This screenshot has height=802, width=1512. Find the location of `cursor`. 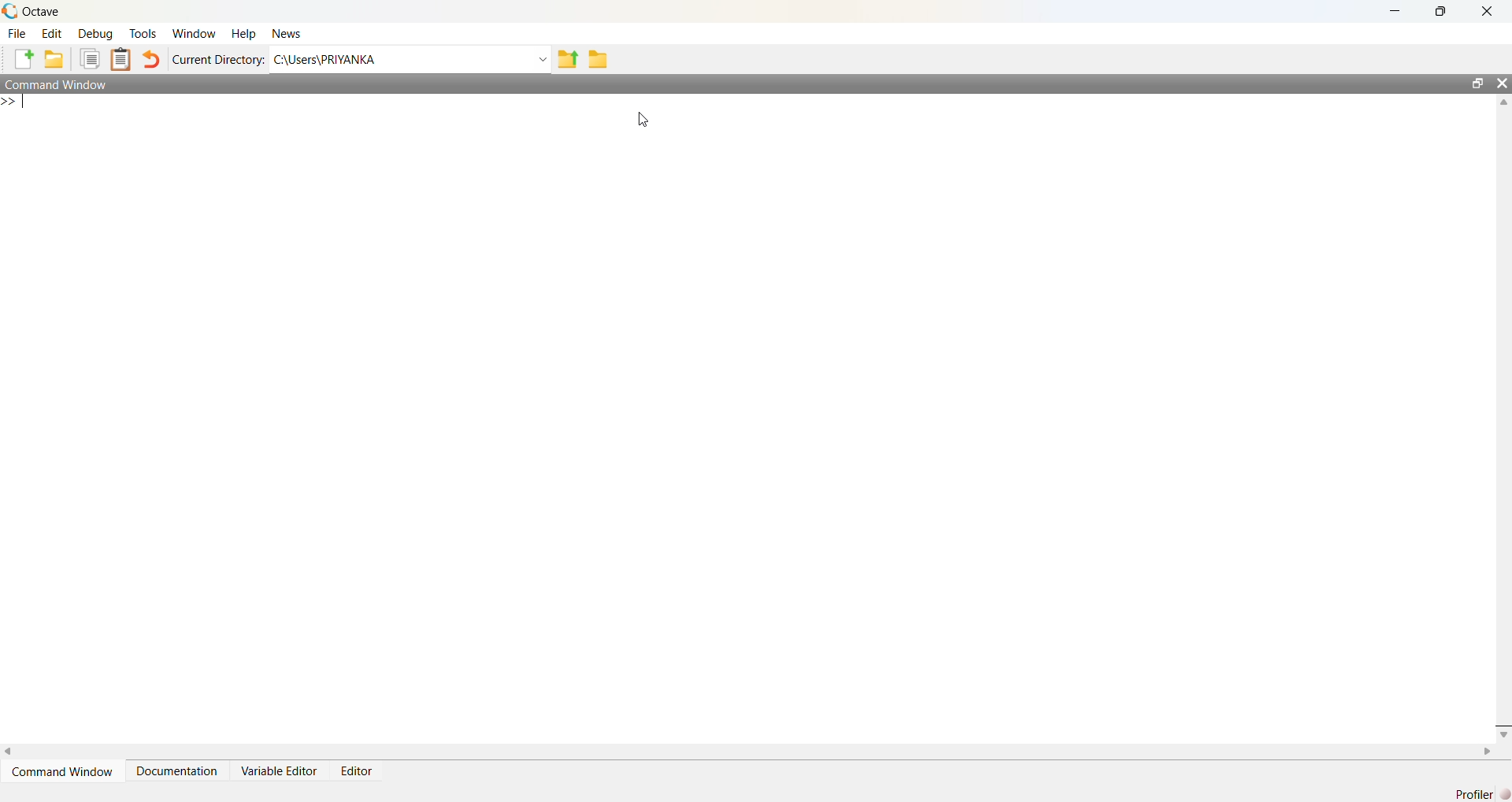

cursor is located at coordinates (642, 120).